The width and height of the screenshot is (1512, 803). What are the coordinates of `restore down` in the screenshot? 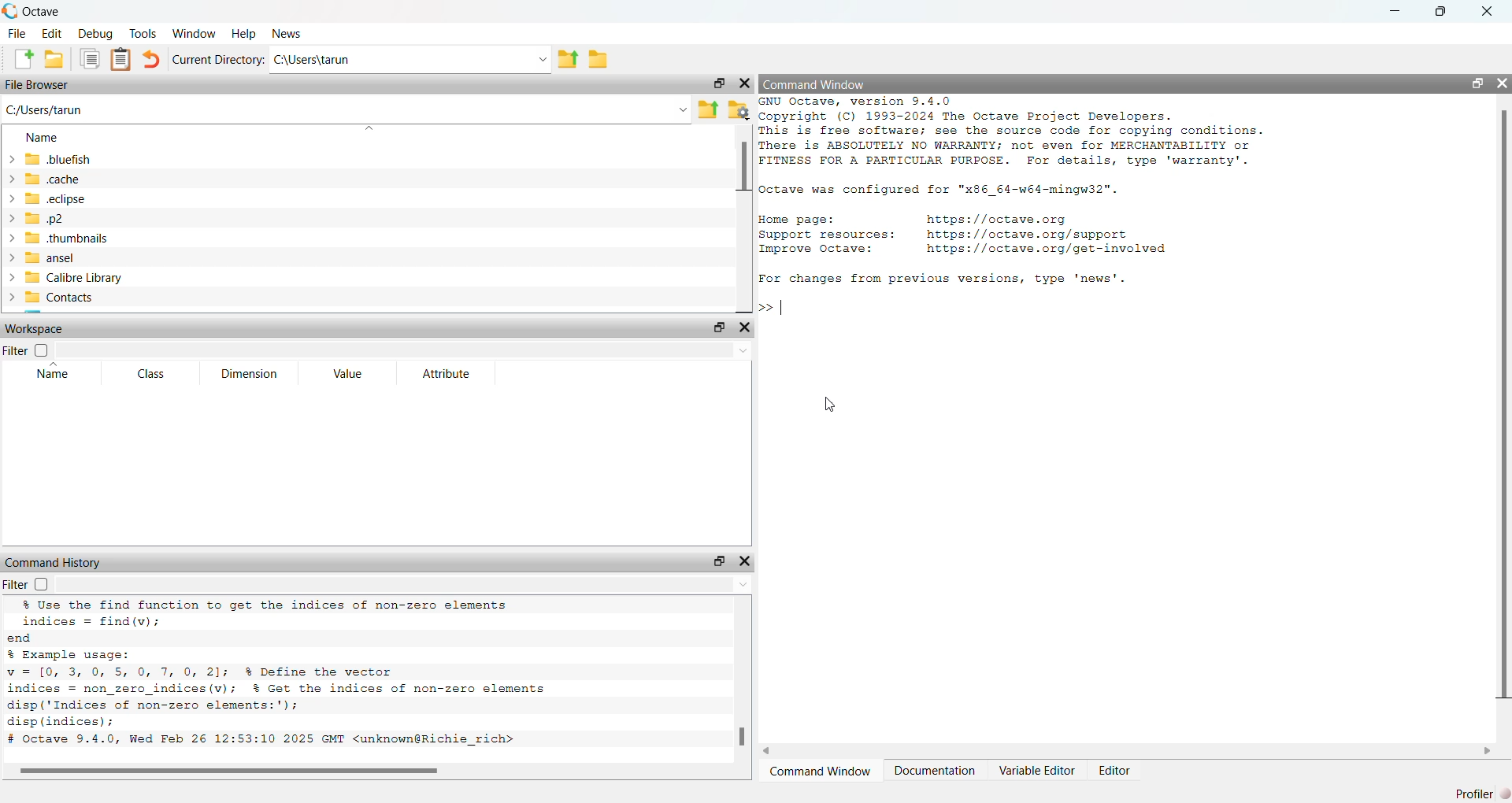 It's located at (1439, 15).